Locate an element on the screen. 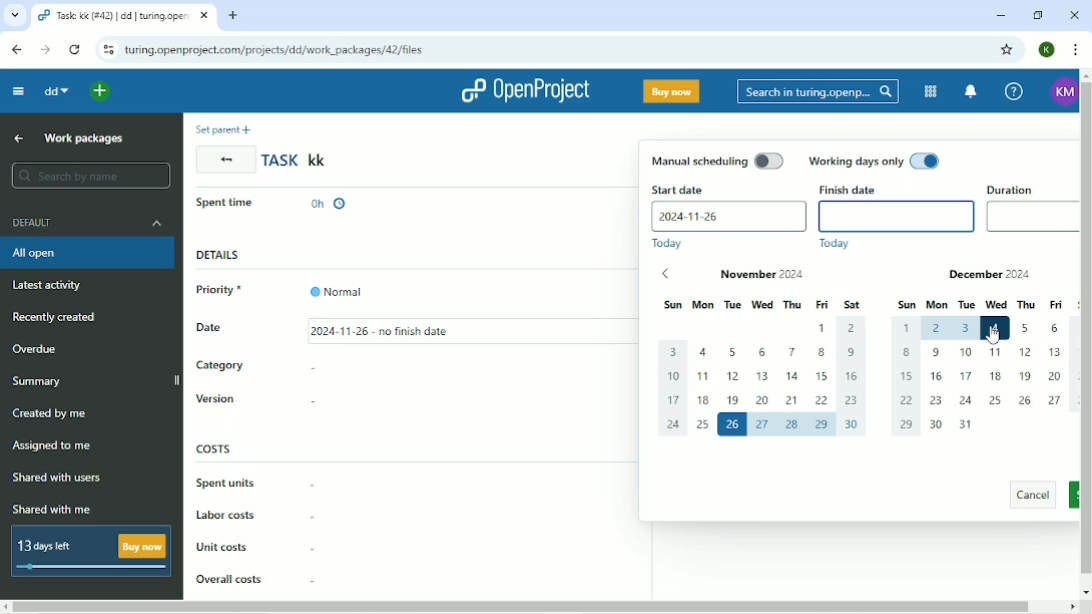 The image size is (1092, 614). Search tabs is located at coordinates (14, 15).